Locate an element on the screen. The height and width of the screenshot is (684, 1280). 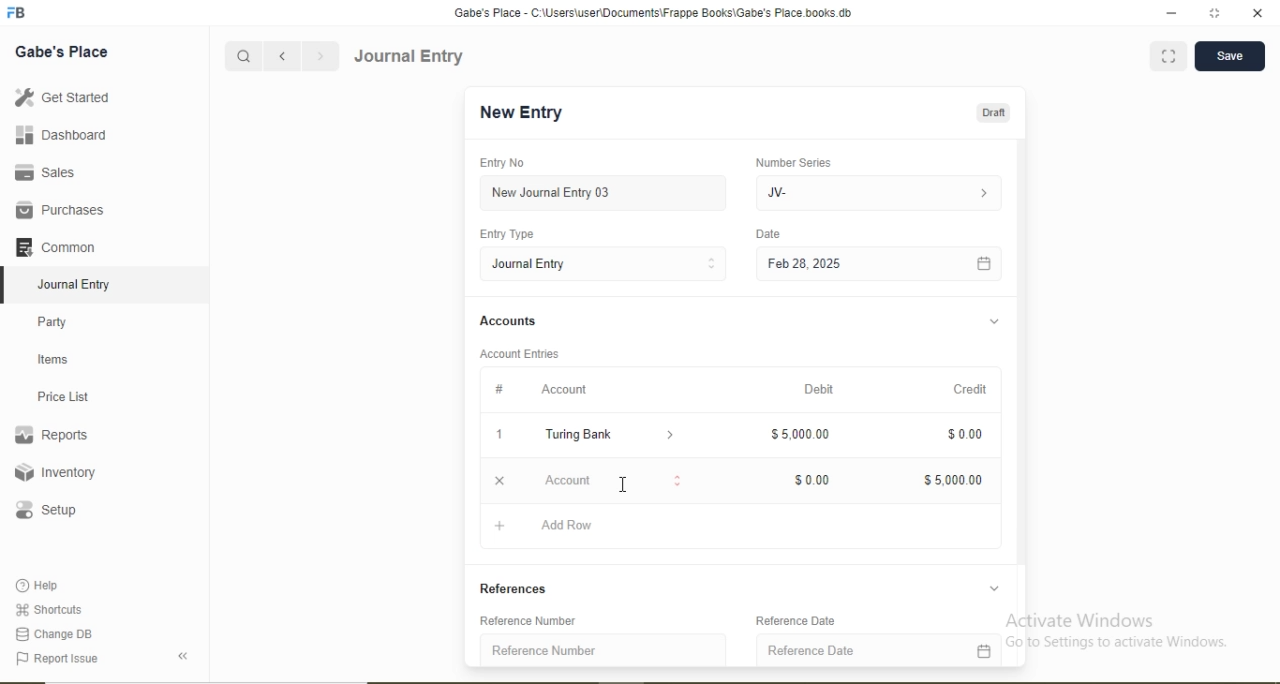
Date is located at coordinates (767, 233).